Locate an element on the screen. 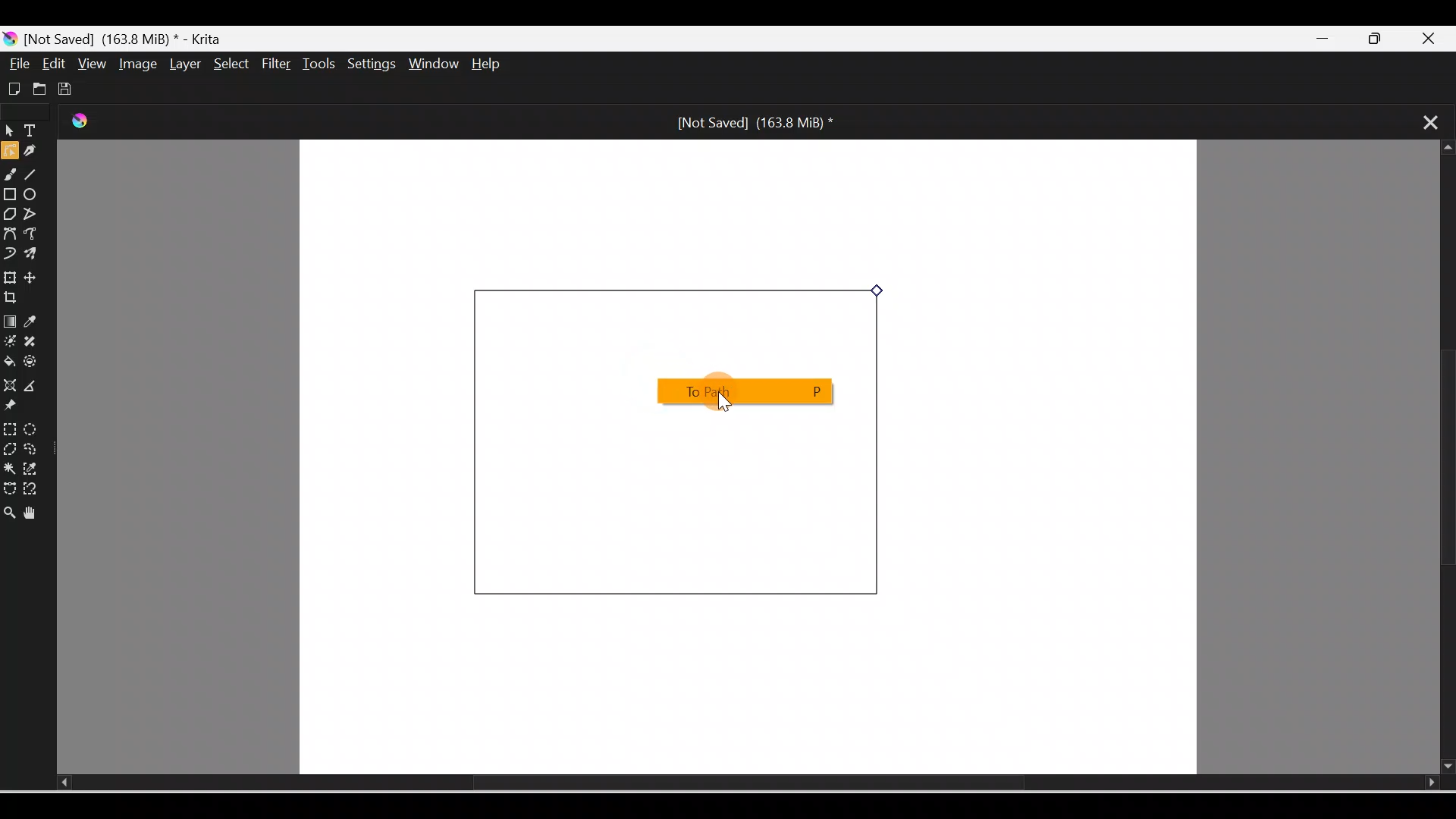 Image resolution: width=1456 pixels, height=819 pixels. Magnetic curve selection tool is located at coordinates (35, 490).